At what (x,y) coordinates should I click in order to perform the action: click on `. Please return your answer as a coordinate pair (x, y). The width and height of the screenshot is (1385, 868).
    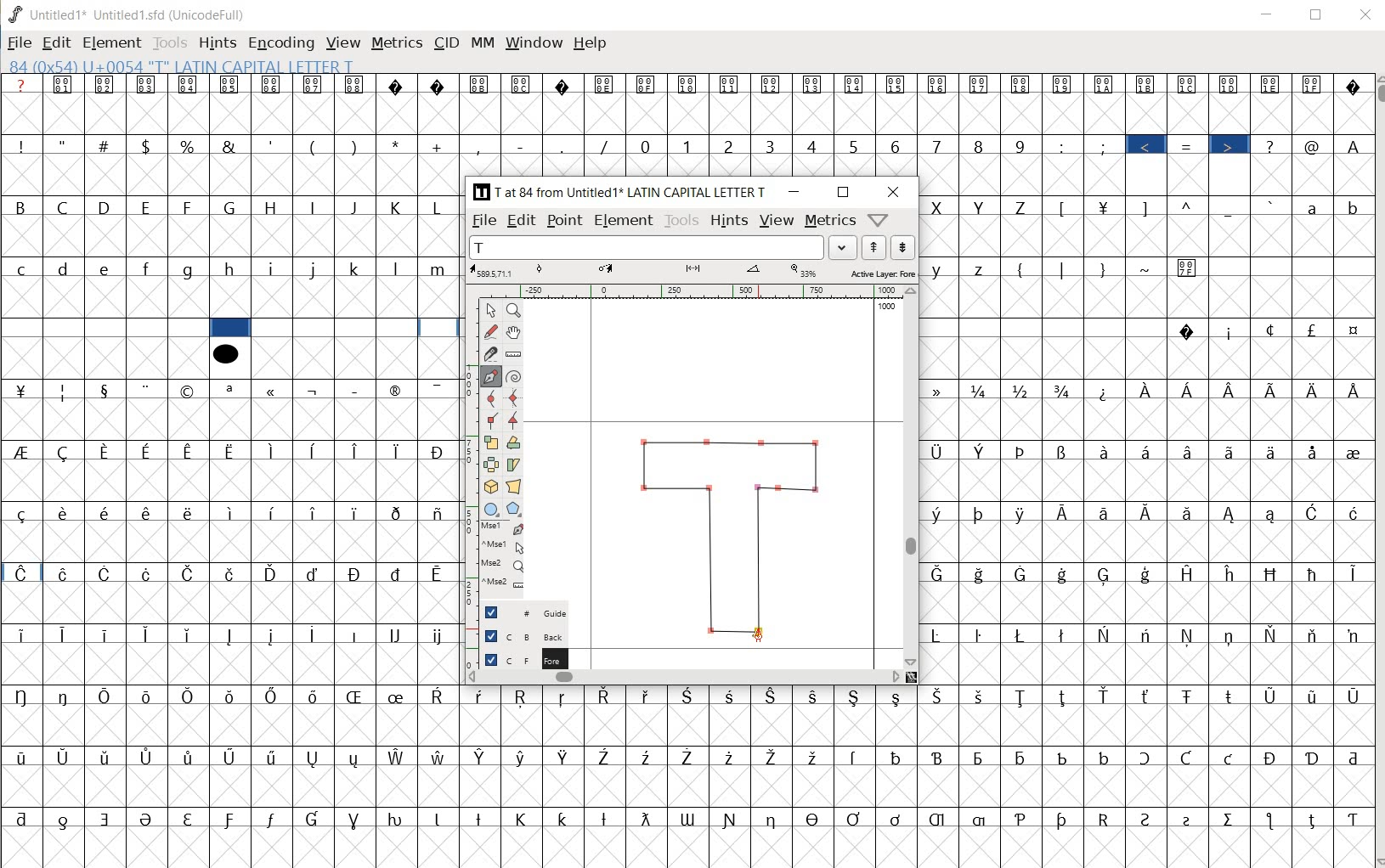
    Looking at the image, I should click on (1271, 206).